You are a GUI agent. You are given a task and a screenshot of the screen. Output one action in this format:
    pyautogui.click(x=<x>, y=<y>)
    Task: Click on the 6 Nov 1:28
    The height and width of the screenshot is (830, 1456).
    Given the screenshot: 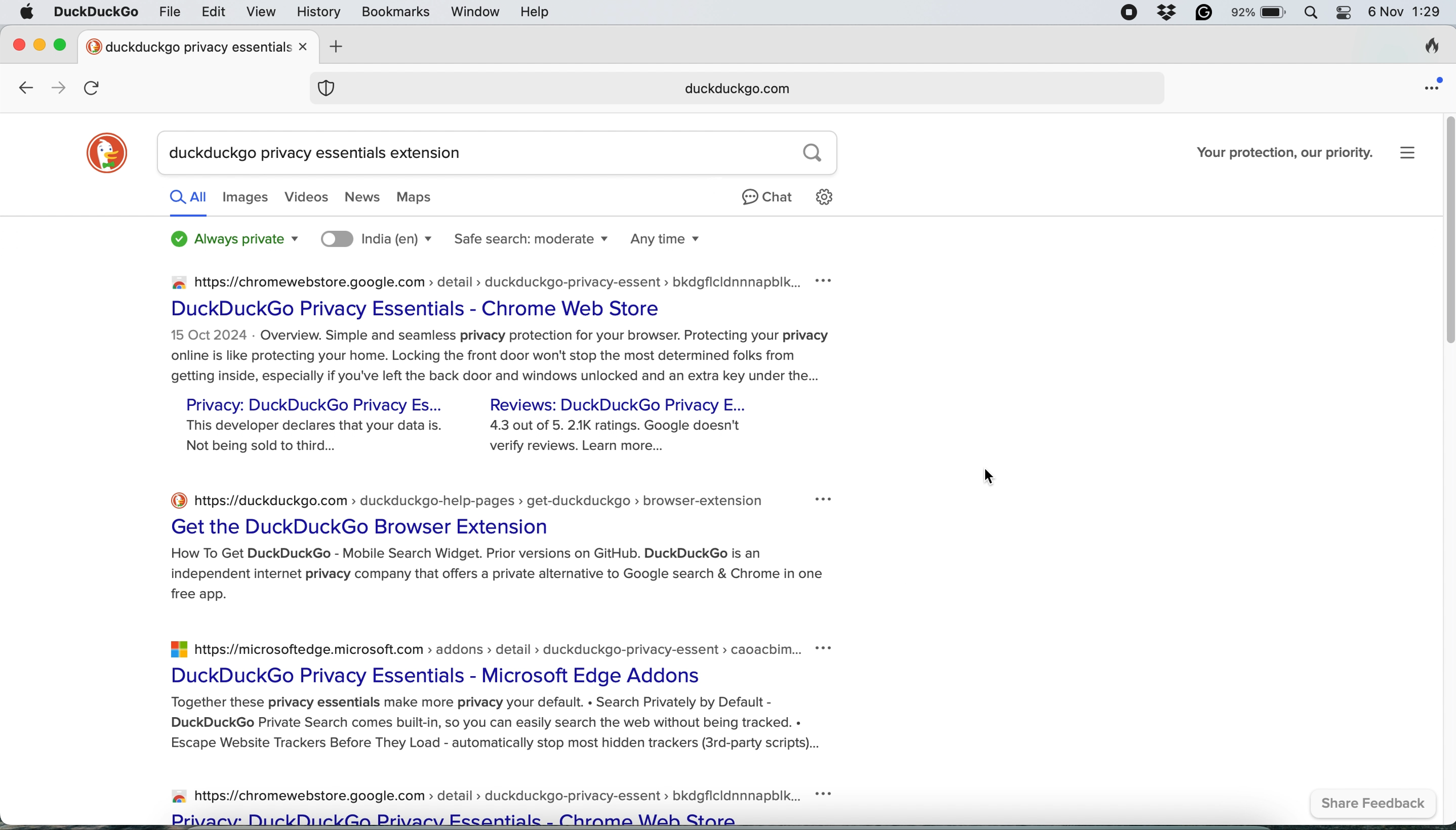 What is the action you would take?
    pyautogui.click(x=1405, y=11)
    